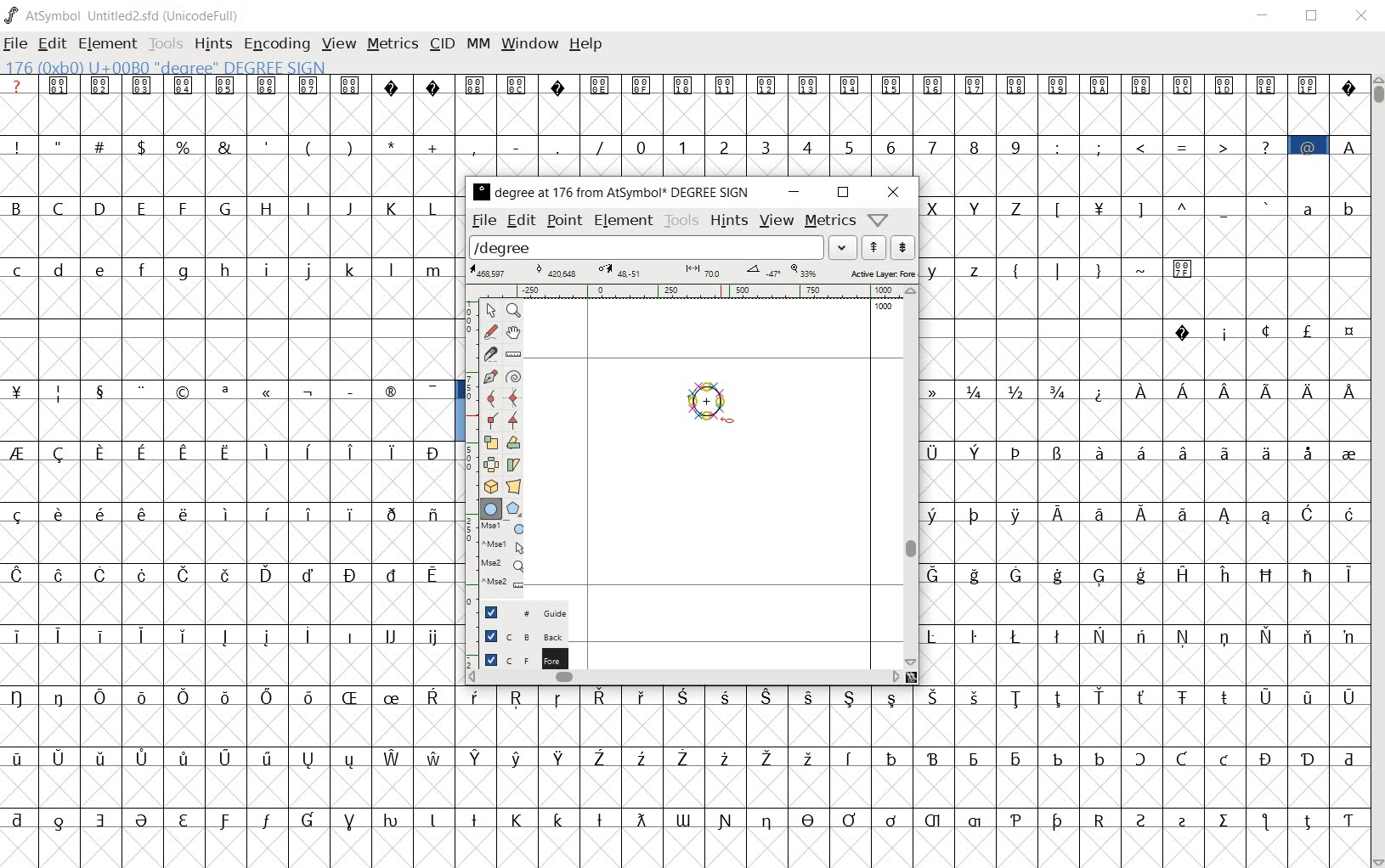 The width and height of the screenshot is (1385, 868). What do you see at coordinates (1142, 237) in the screenshot?
I see `empty glyph slots` at bounding box center [1142, 237].